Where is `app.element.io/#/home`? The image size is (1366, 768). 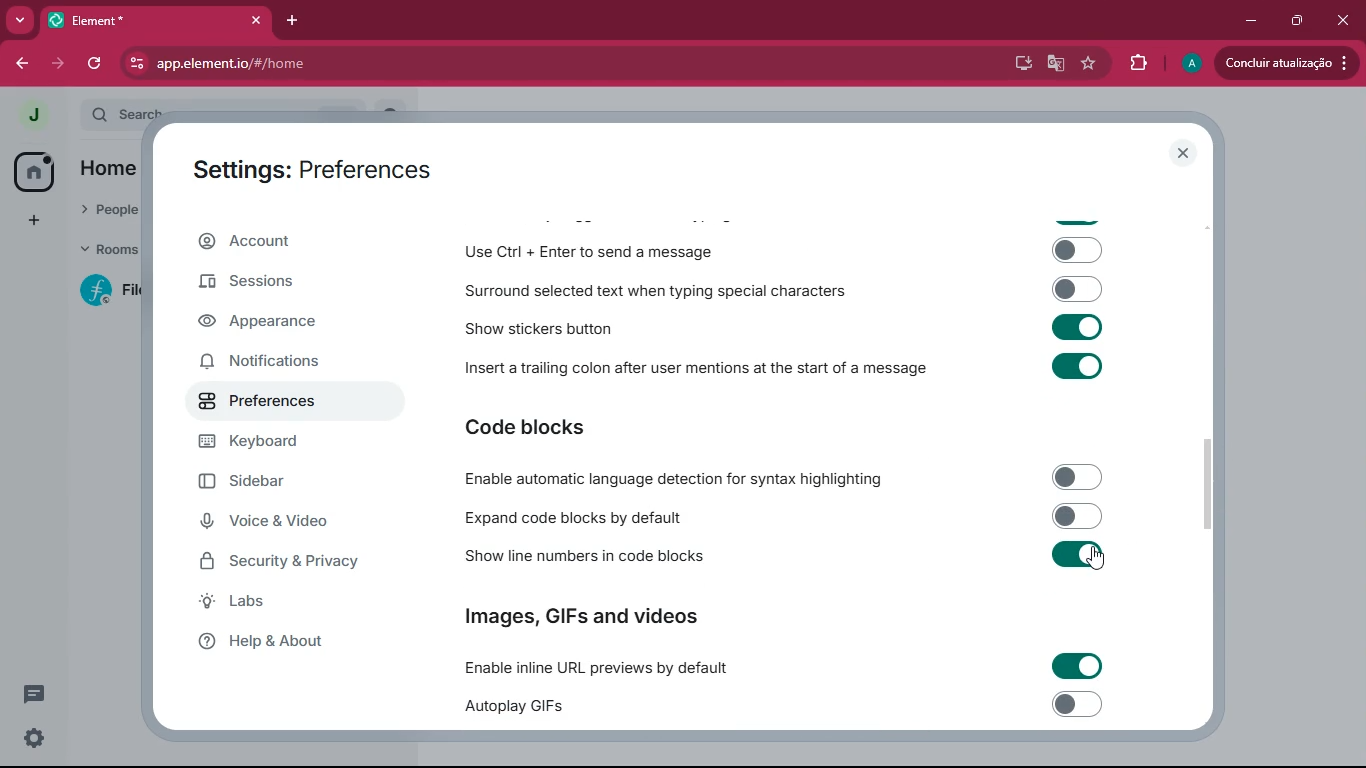
app.element.io/#/home is located at coordinates (323, 63).